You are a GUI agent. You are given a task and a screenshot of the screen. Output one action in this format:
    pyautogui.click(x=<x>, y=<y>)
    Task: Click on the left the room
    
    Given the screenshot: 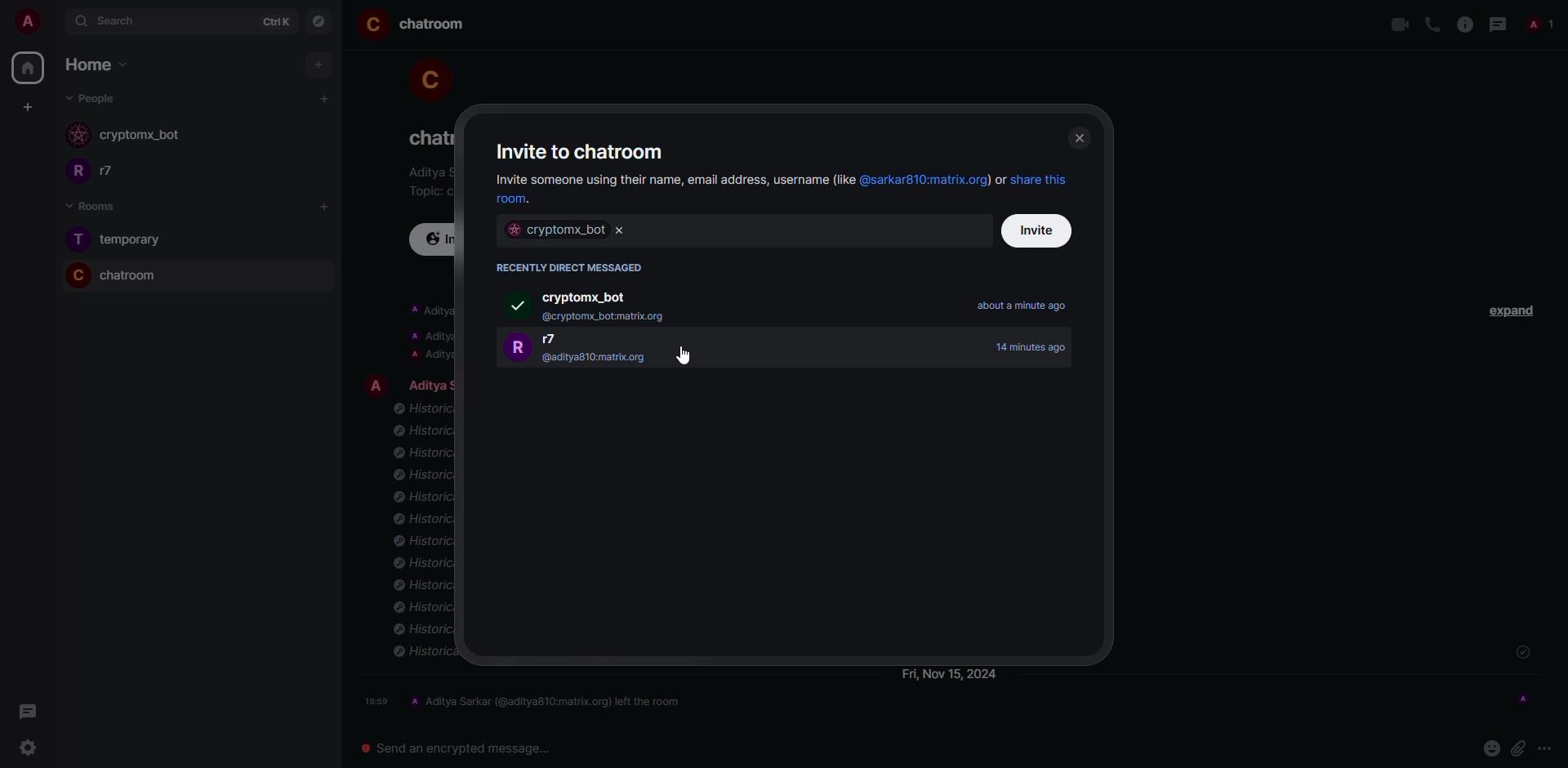 What is the action you would take?
    pyautogui.click(x=549, y=700)
    